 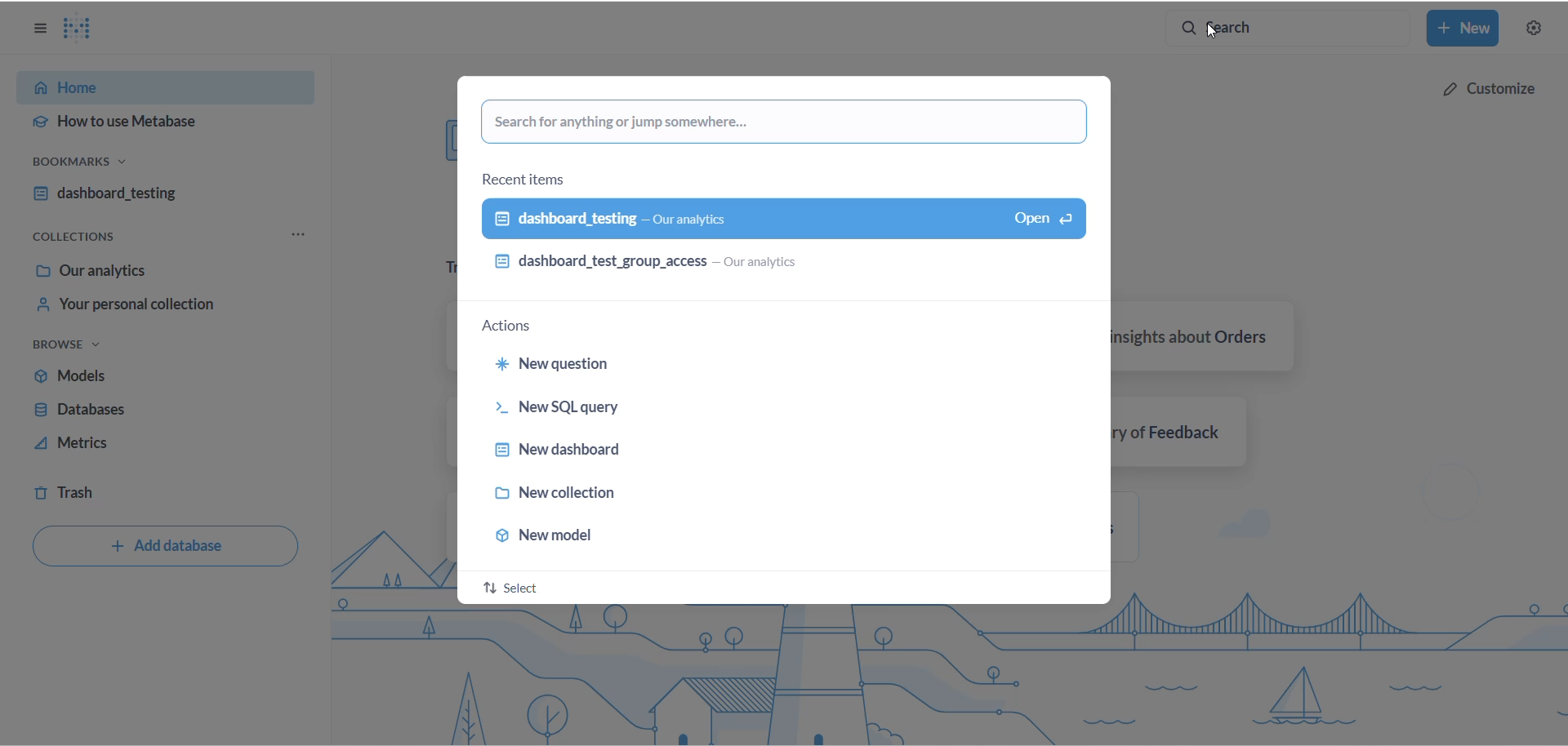 What do you see at coordinates (109, 166) in the screenshot?
I see `bookmarks` at bounding box center [109, 166].